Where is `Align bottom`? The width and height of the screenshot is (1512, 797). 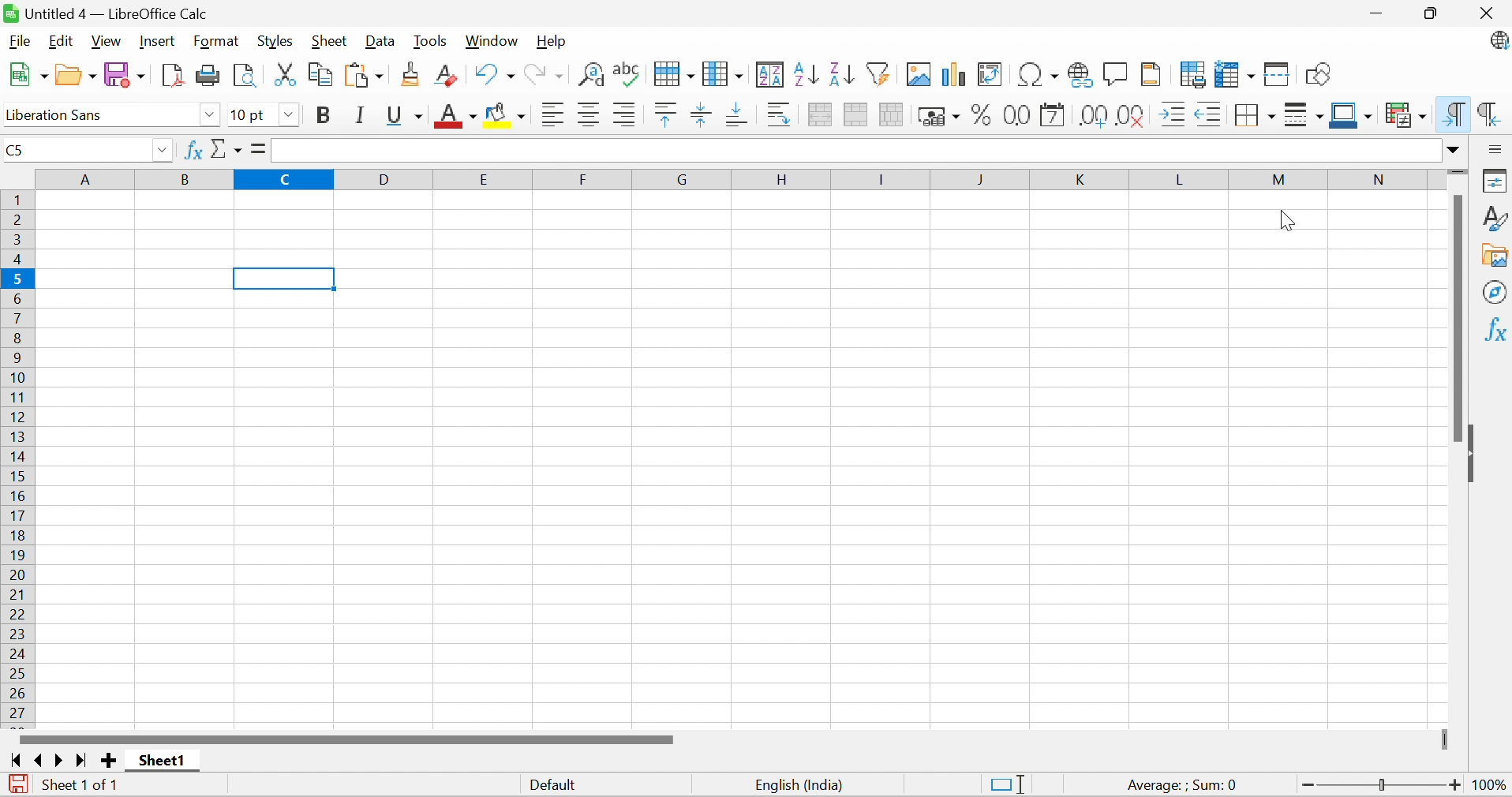
Align bottom is located at coordinates (740, 114).